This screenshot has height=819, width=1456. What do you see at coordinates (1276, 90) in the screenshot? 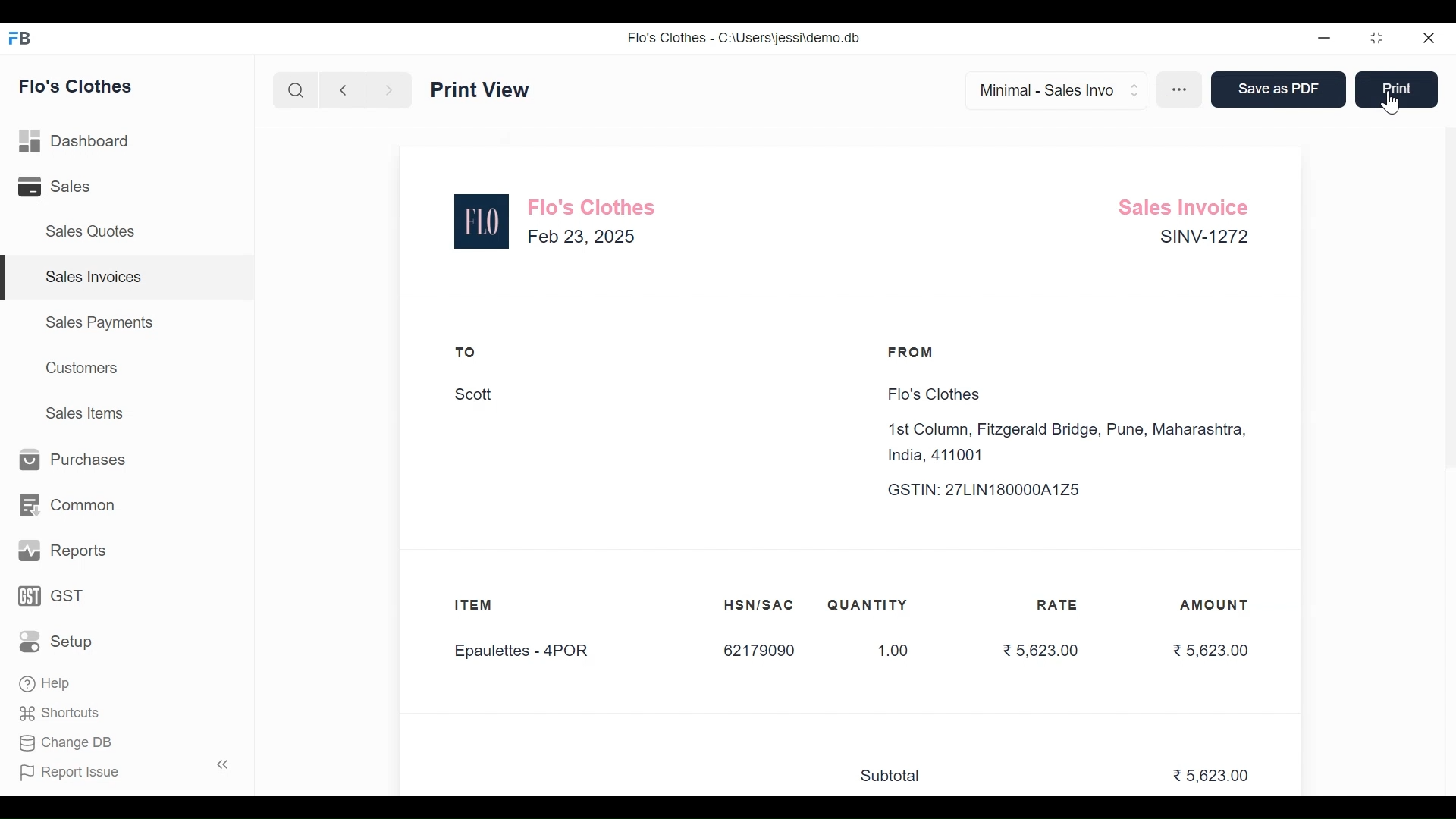
I see `Save as PDF` at bounding box center [1276, 90].